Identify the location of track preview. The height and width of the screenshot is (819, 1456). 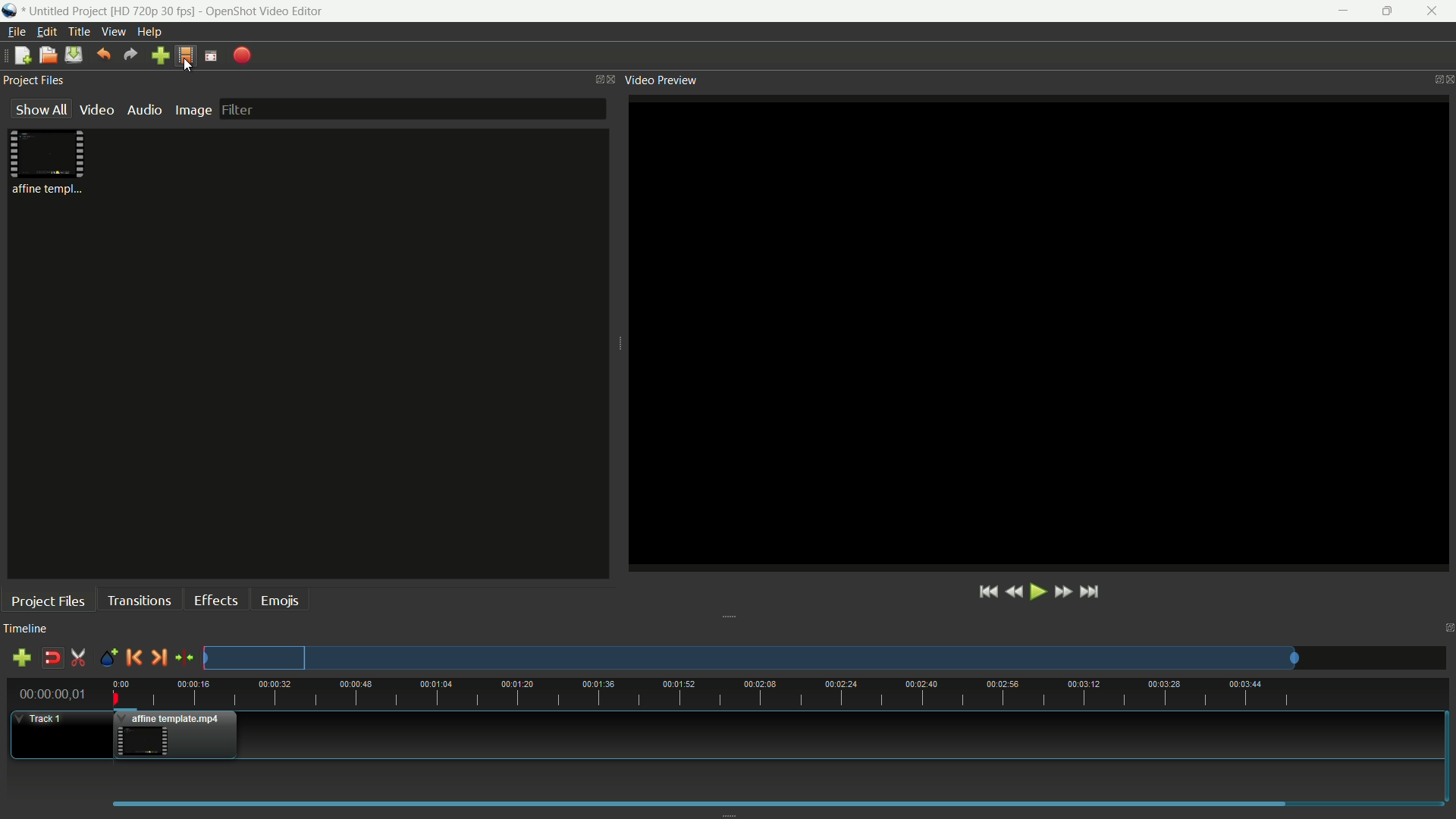
(752, 657).